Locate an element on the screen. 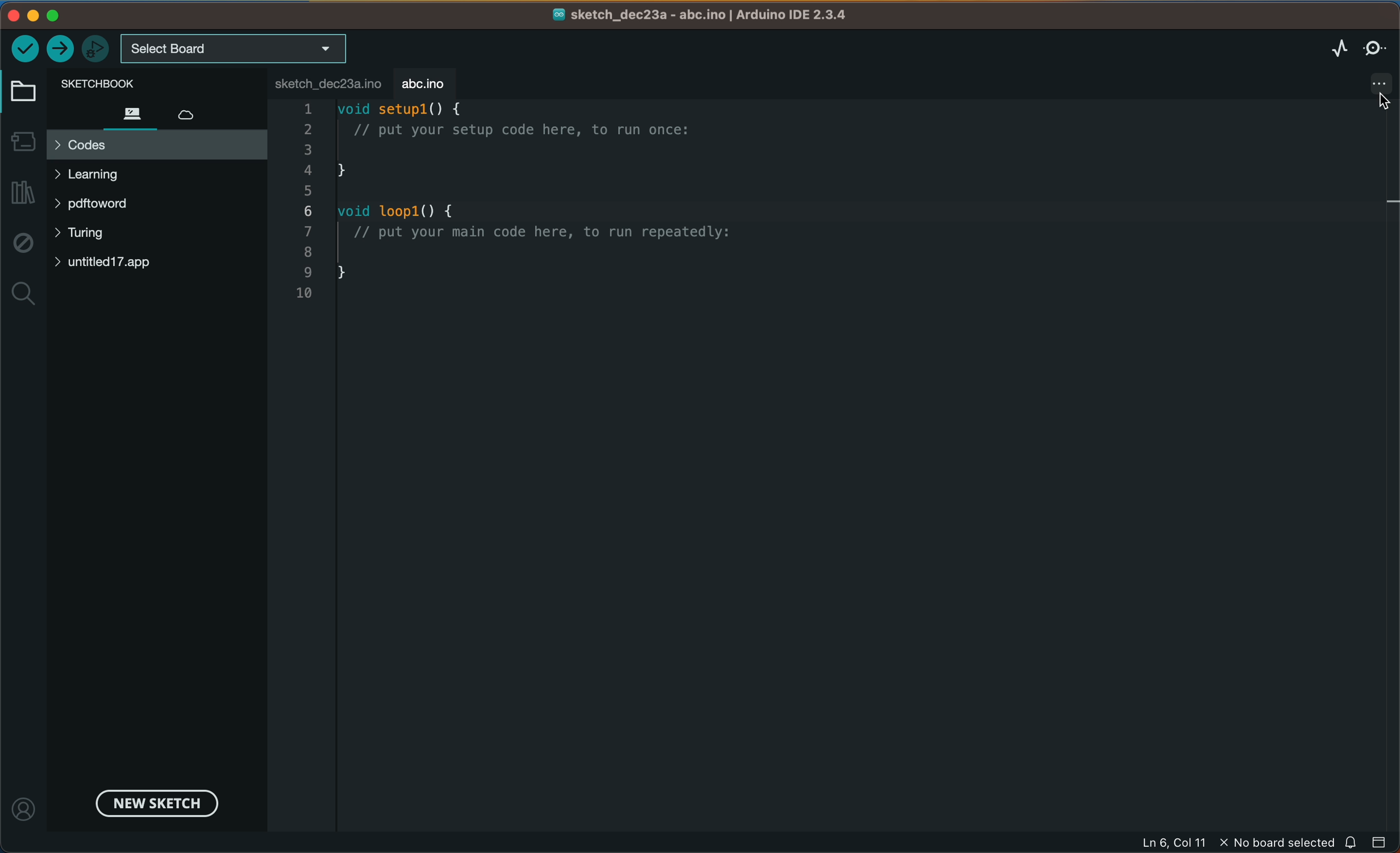  folder is located at coordinates (26, 91).